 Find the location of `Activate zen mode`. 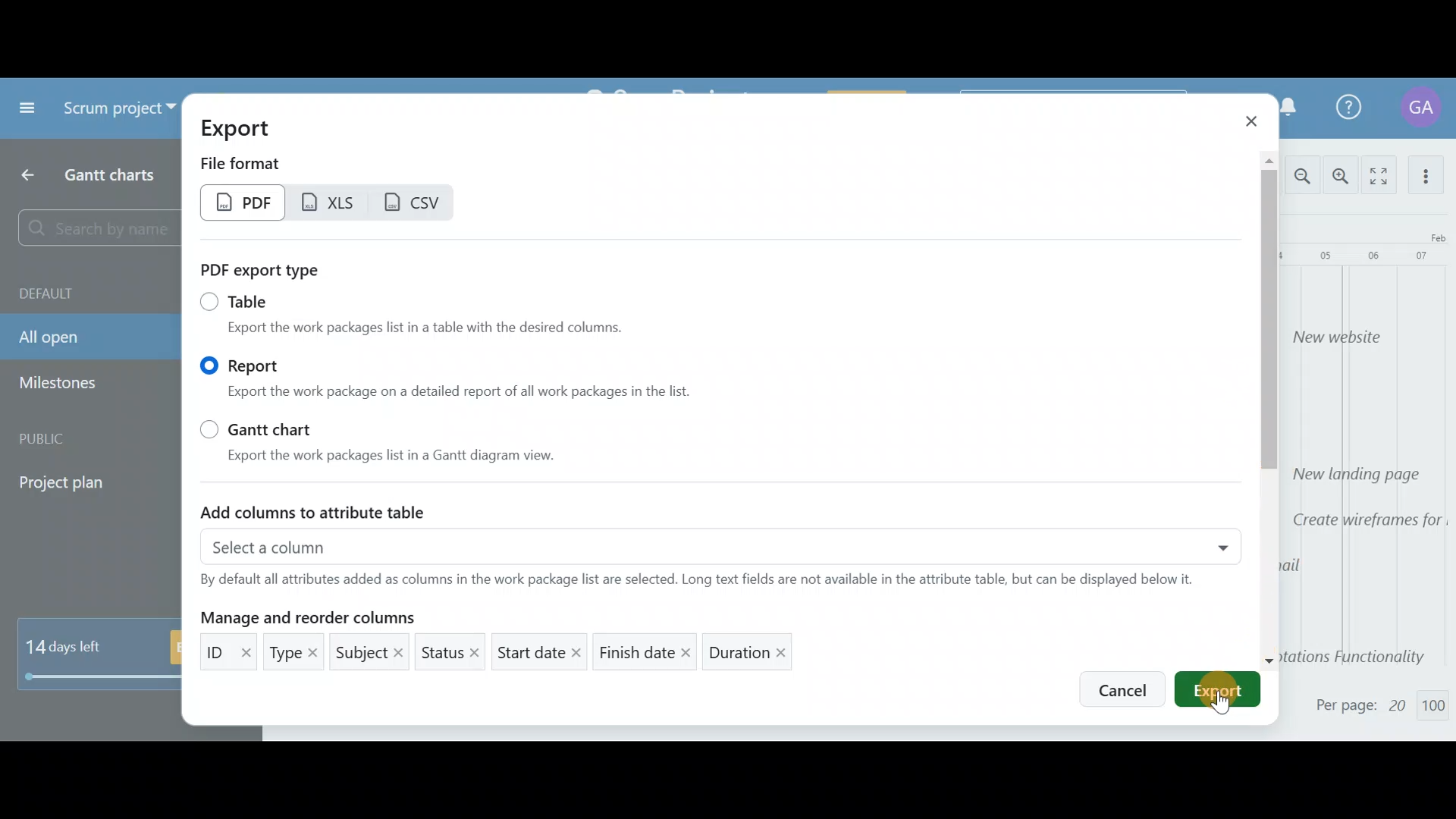

Activate zen mode is located at coordinates (1379, 176).